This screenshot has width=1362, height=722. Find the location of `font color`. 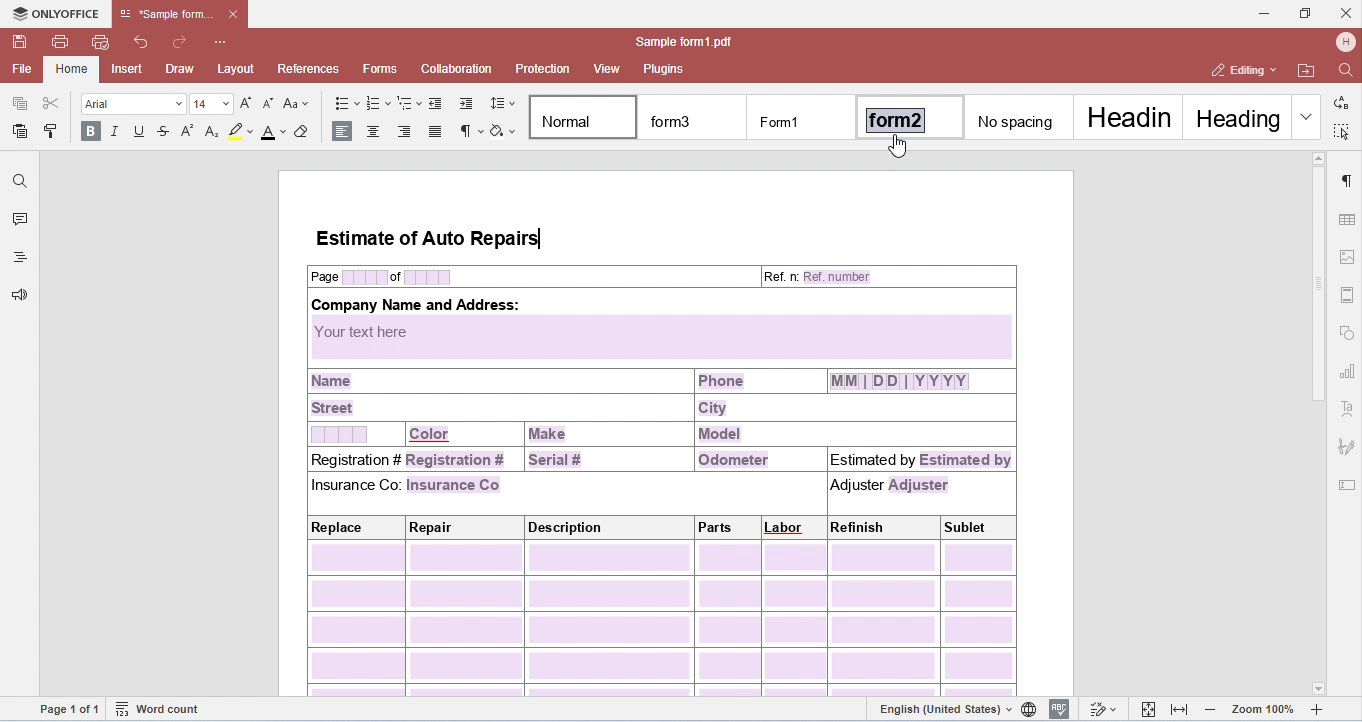

font color is located at coordinates (274, 133).